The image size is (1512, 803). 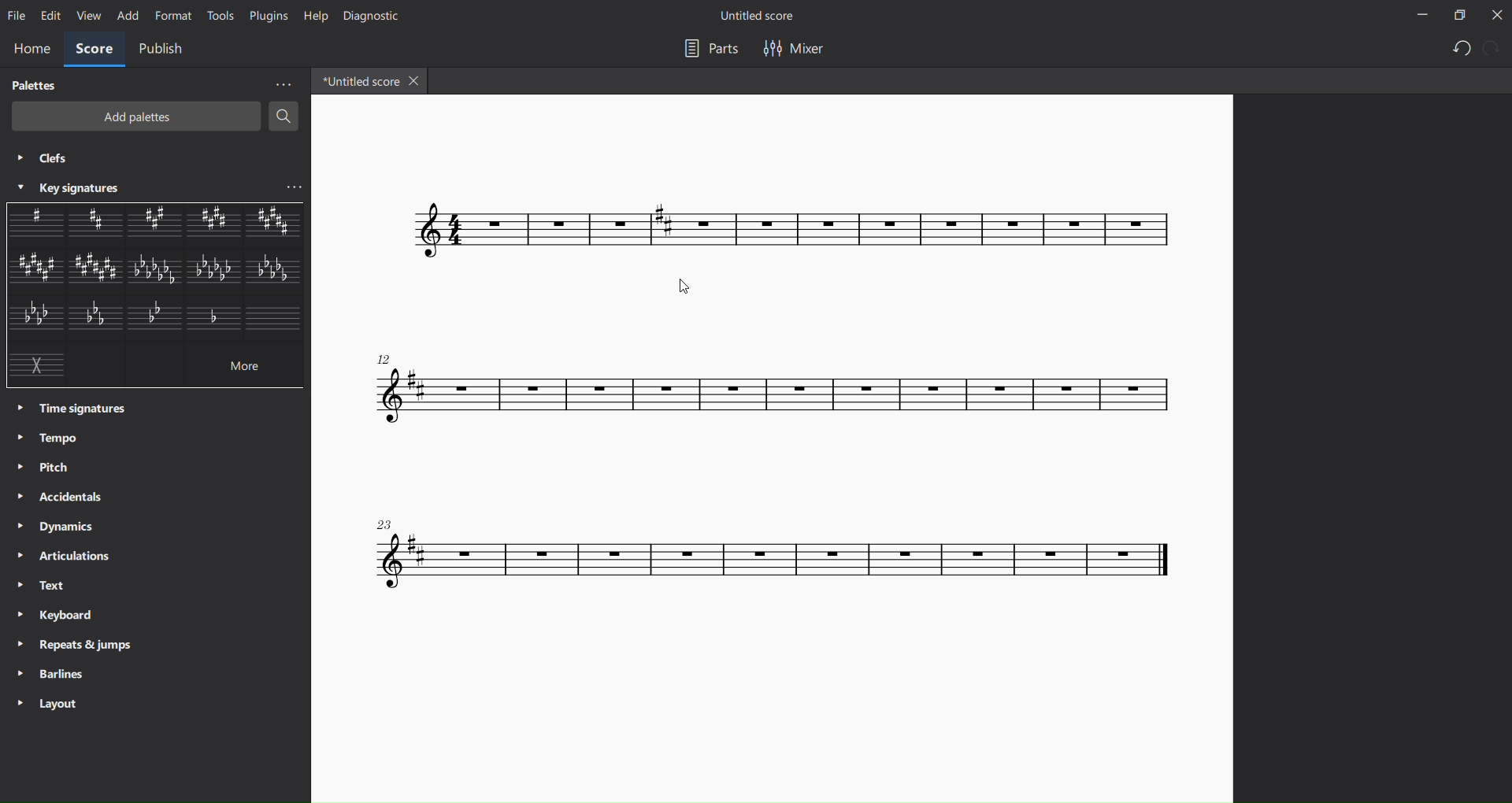 I want to click on maximize, so click(x=1458, y=16).